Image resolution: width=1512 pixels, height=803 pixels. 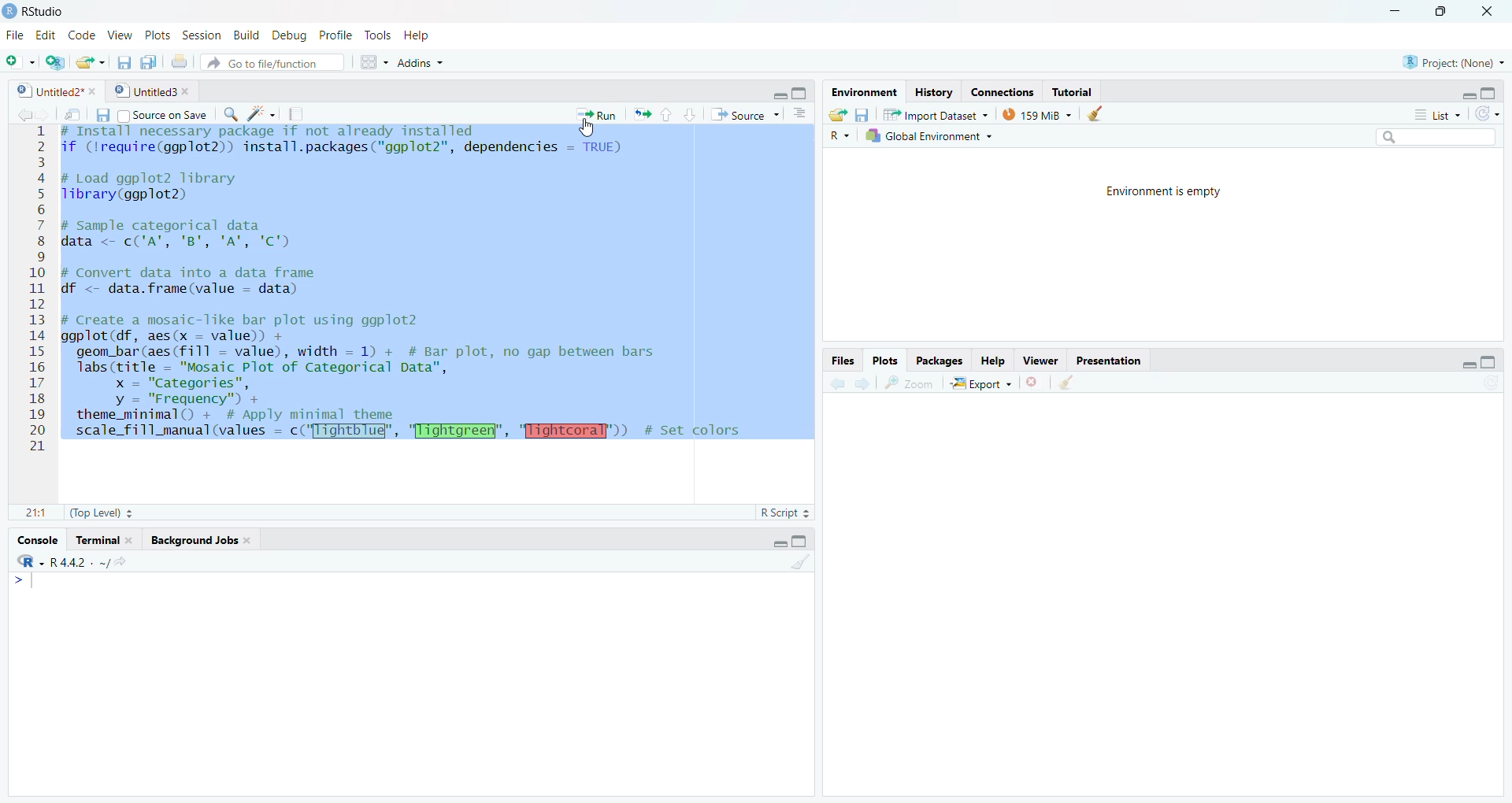 I want to click on Import Dataset, so click(x=936, y=115).